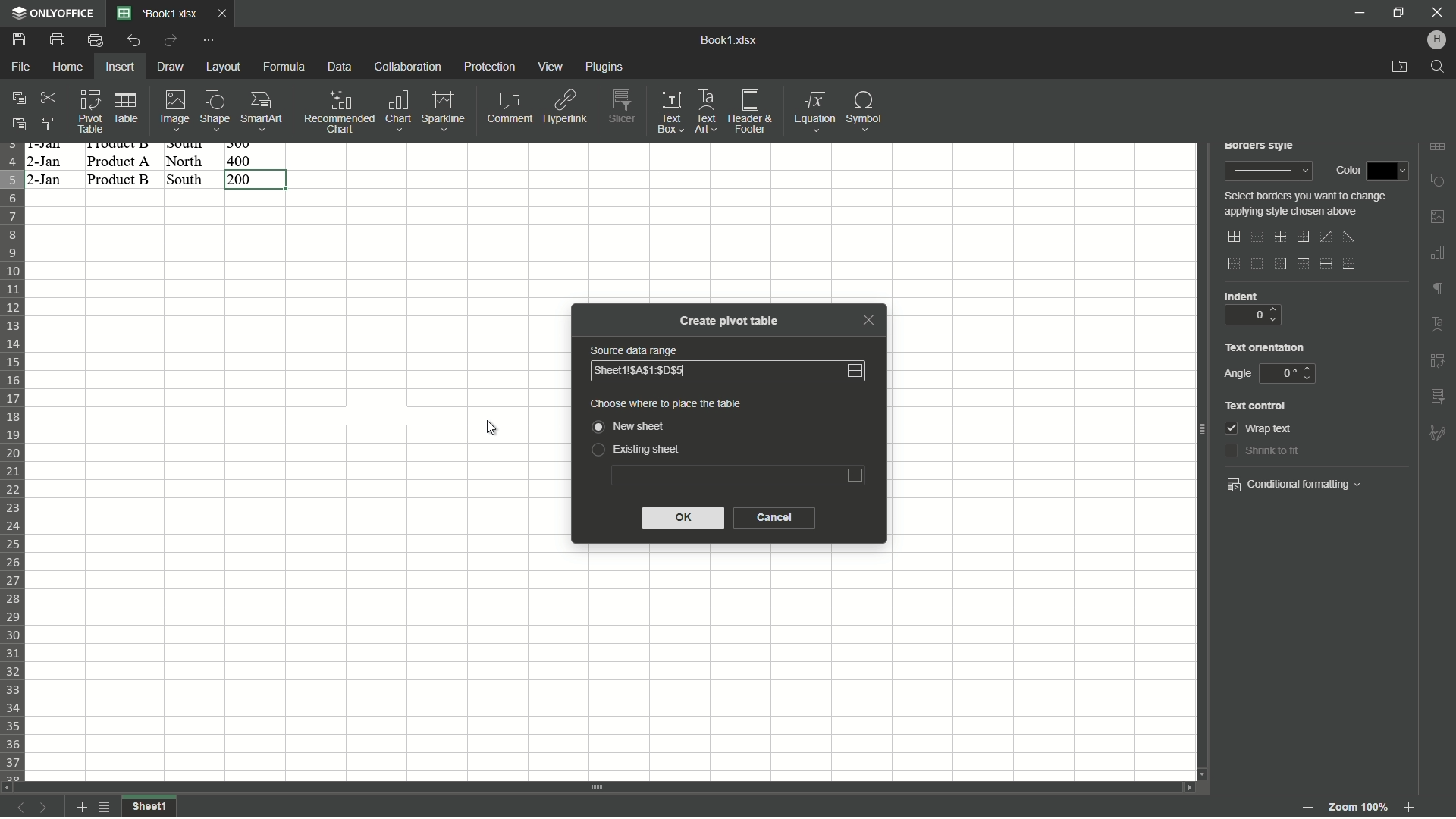 The height and width of the screenshot is (819, 1456). I want to click on save, so click(20, 41).